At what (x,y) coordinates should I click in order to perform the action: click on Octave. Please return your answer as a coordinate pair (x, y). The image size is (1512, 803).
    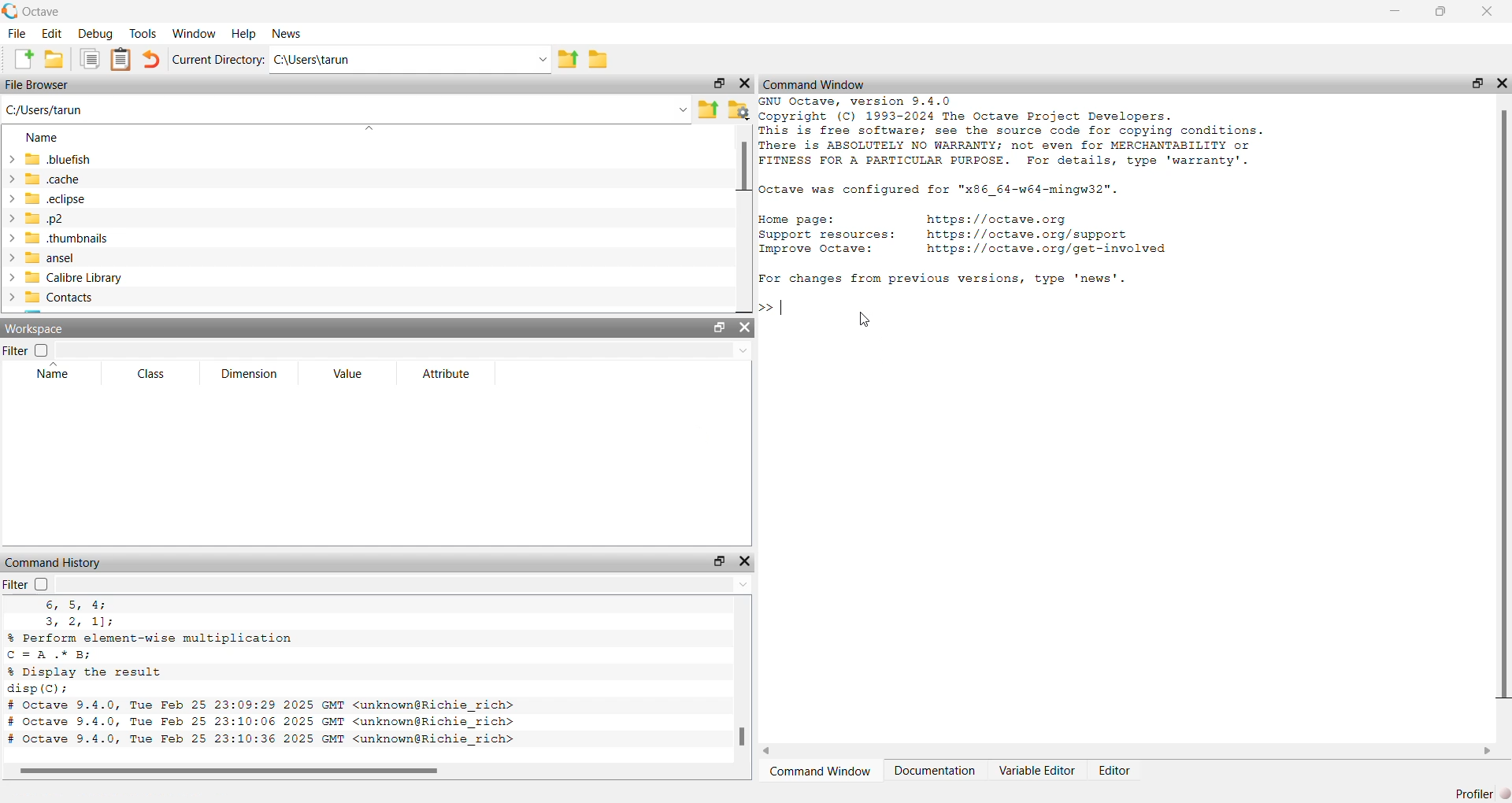
    Looking at the image, I should click on (31, 12).